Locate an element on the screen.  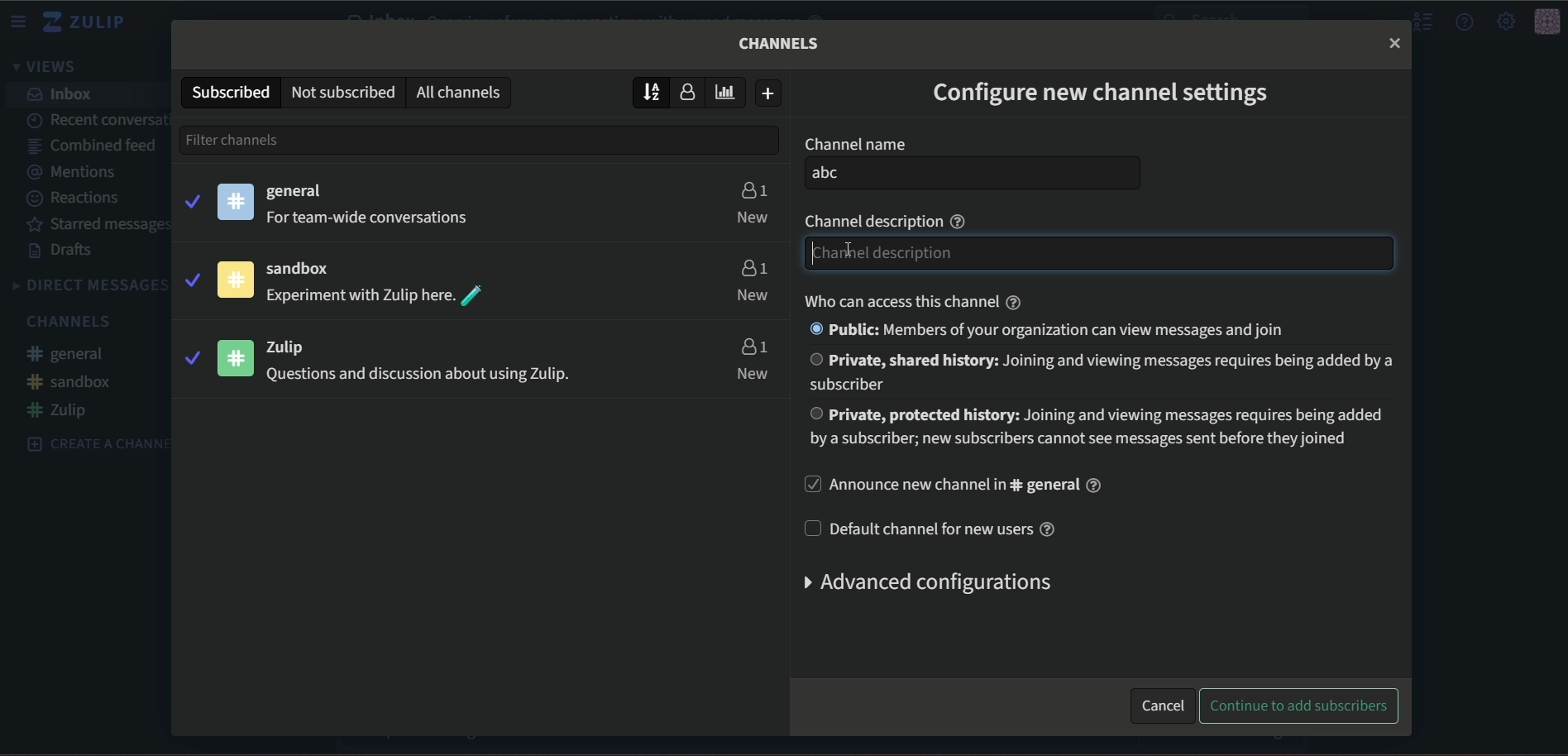
views is located at coordinates (50, 68).